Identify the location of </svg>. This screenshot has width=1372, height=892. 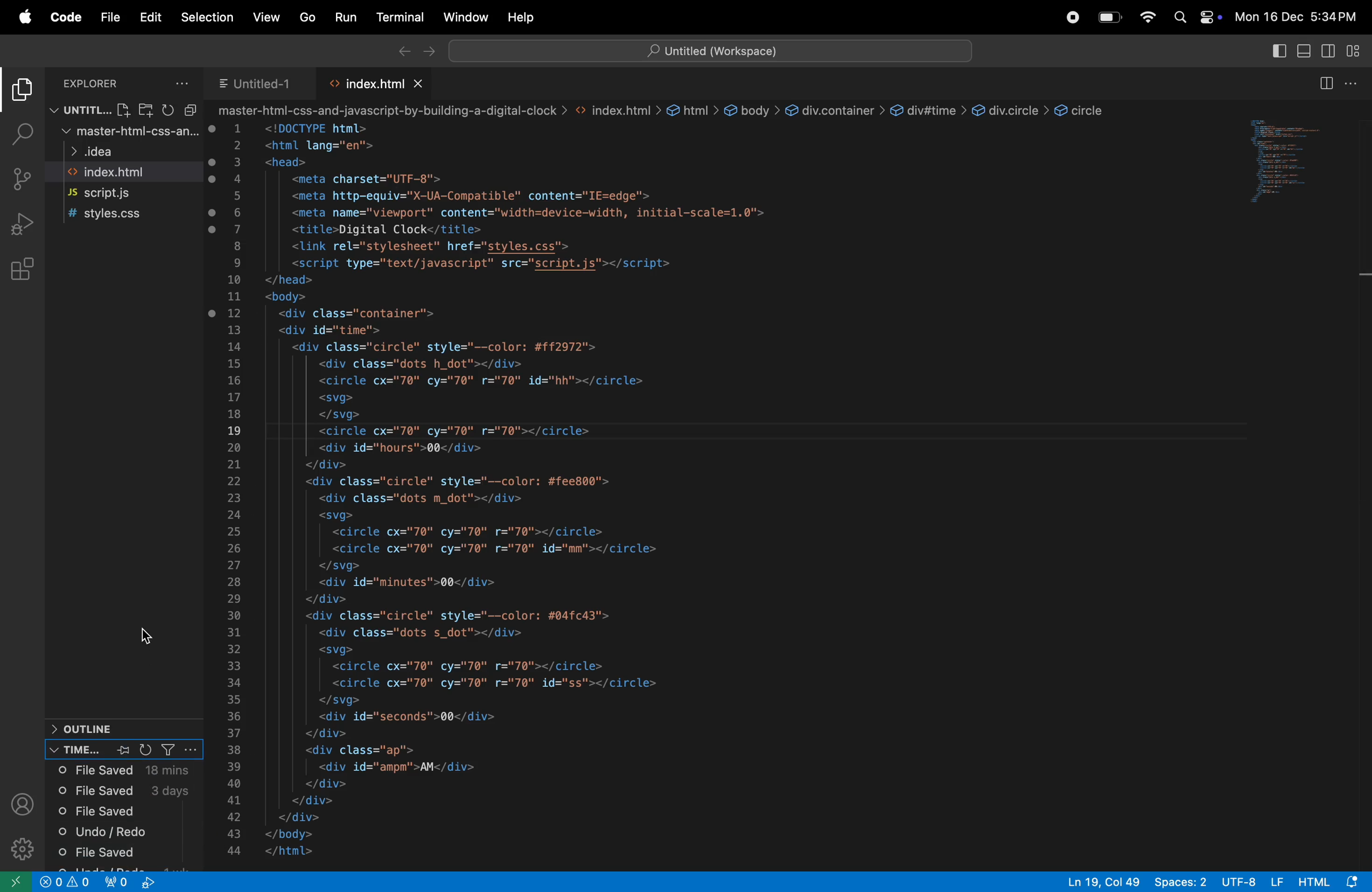
(337, 566).